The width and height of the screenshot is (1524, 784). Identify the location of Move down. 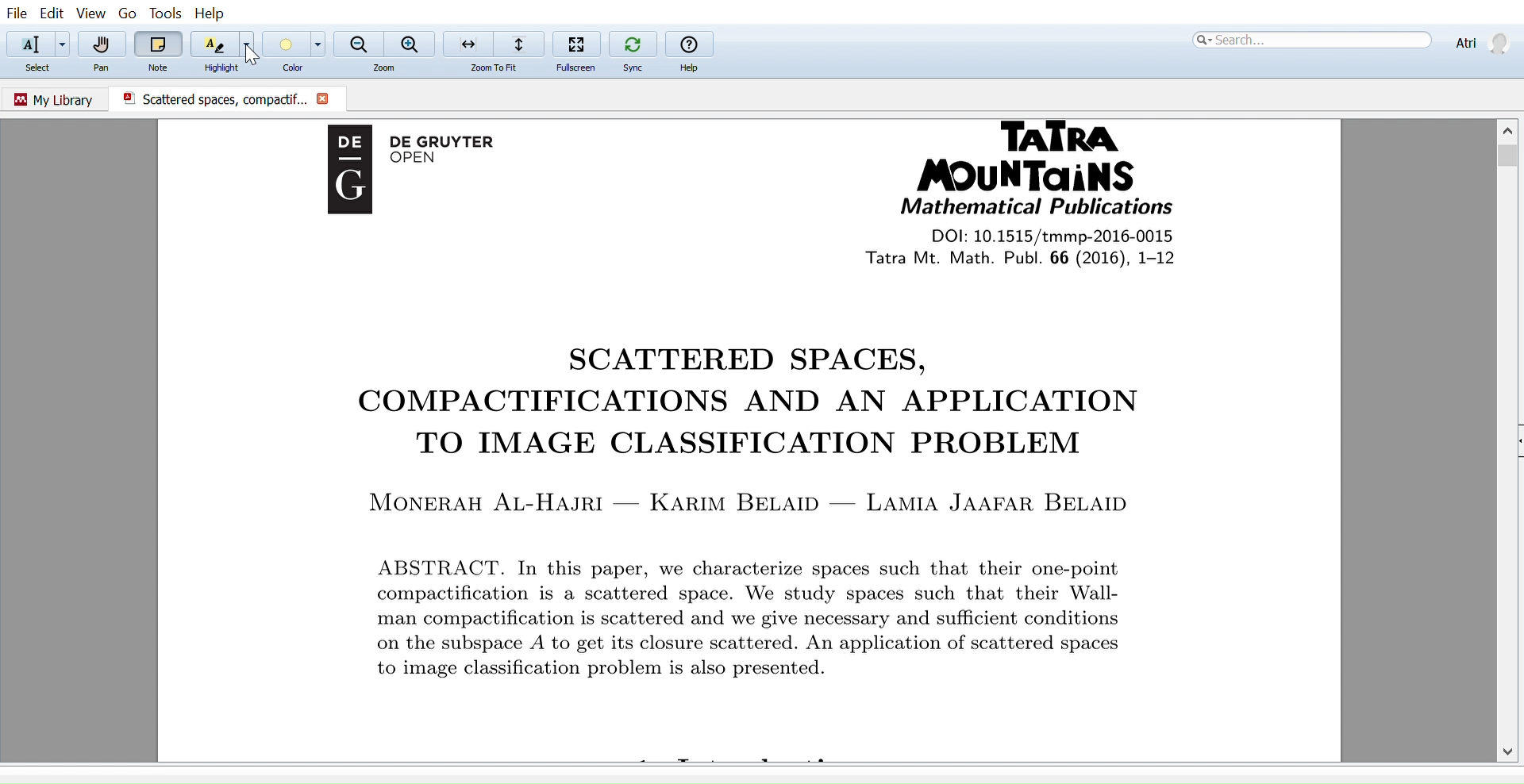
(1510, 751).